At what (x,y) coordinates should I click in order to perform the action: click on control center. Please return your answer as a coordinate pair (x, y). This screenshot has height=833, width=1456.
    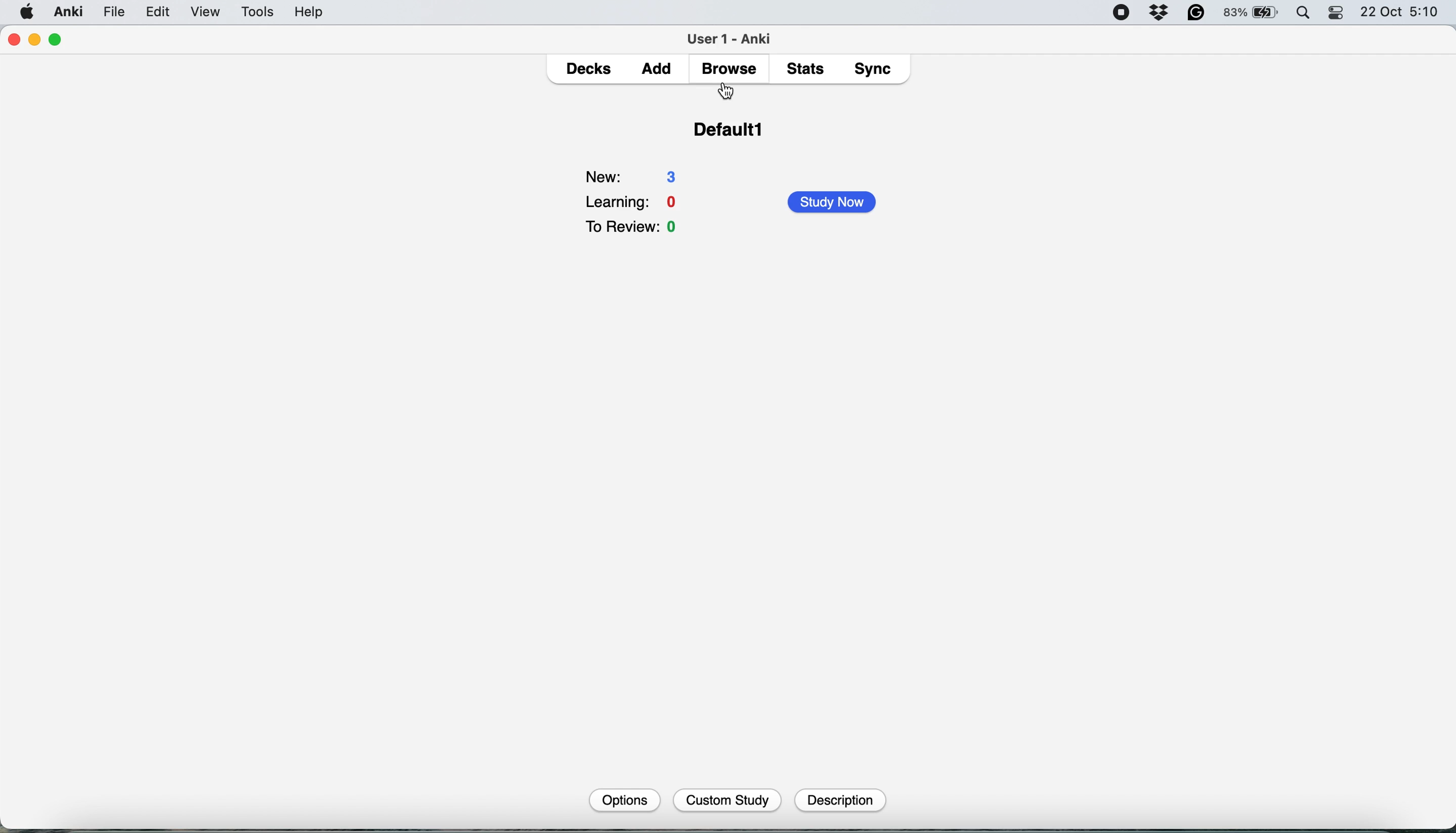
    Looking at the image, I should click on (1337, 13).